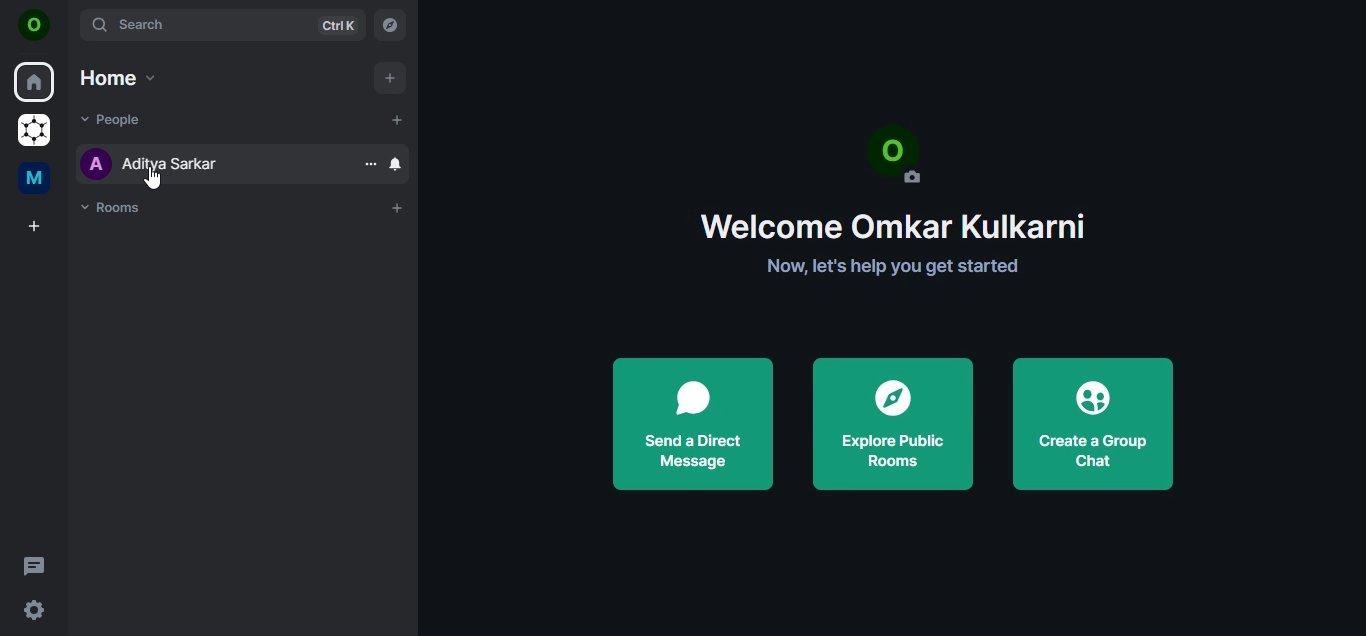 Image resolution: width=1366 pixels, height=636 pixels. What do you see at coordinates (388, 79) in the screenshot?
I see `add` at bounding box center [388, 79].